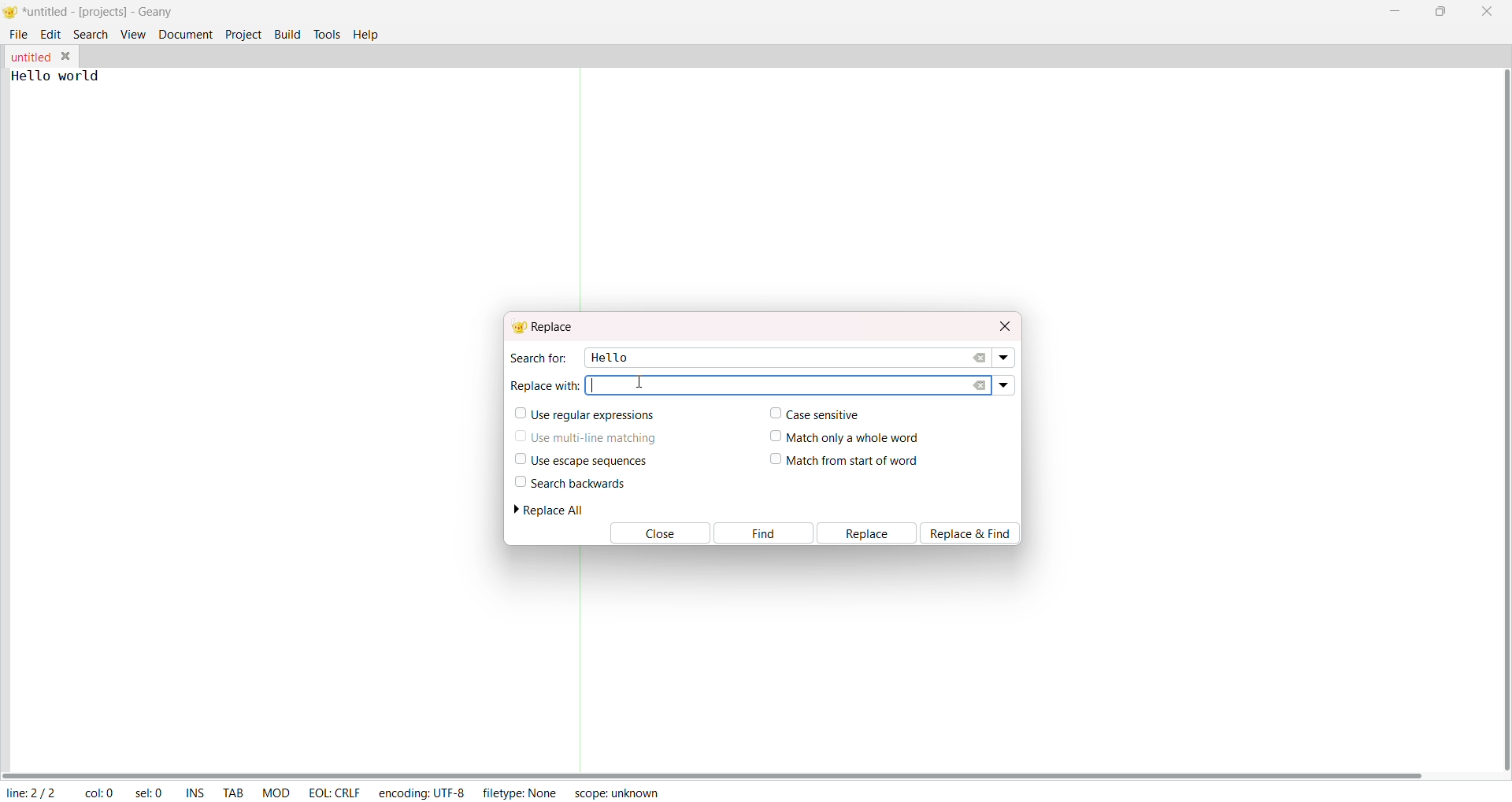 Image resolution: width=1512 pixels, height=802 pixels. I want to click on encoding: UTF-8, so click(421, 792).